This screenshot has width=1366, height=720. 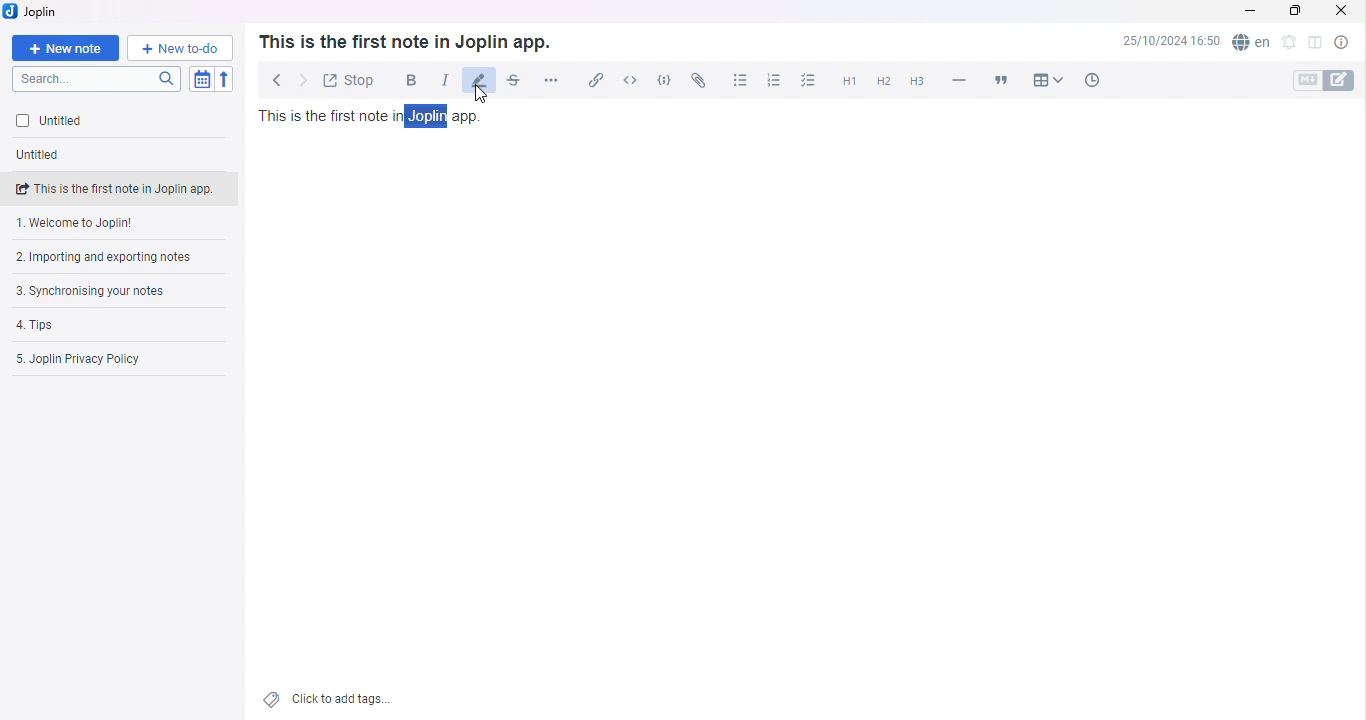 I want to click on Toggle external editing, so click(x=348, y=79).